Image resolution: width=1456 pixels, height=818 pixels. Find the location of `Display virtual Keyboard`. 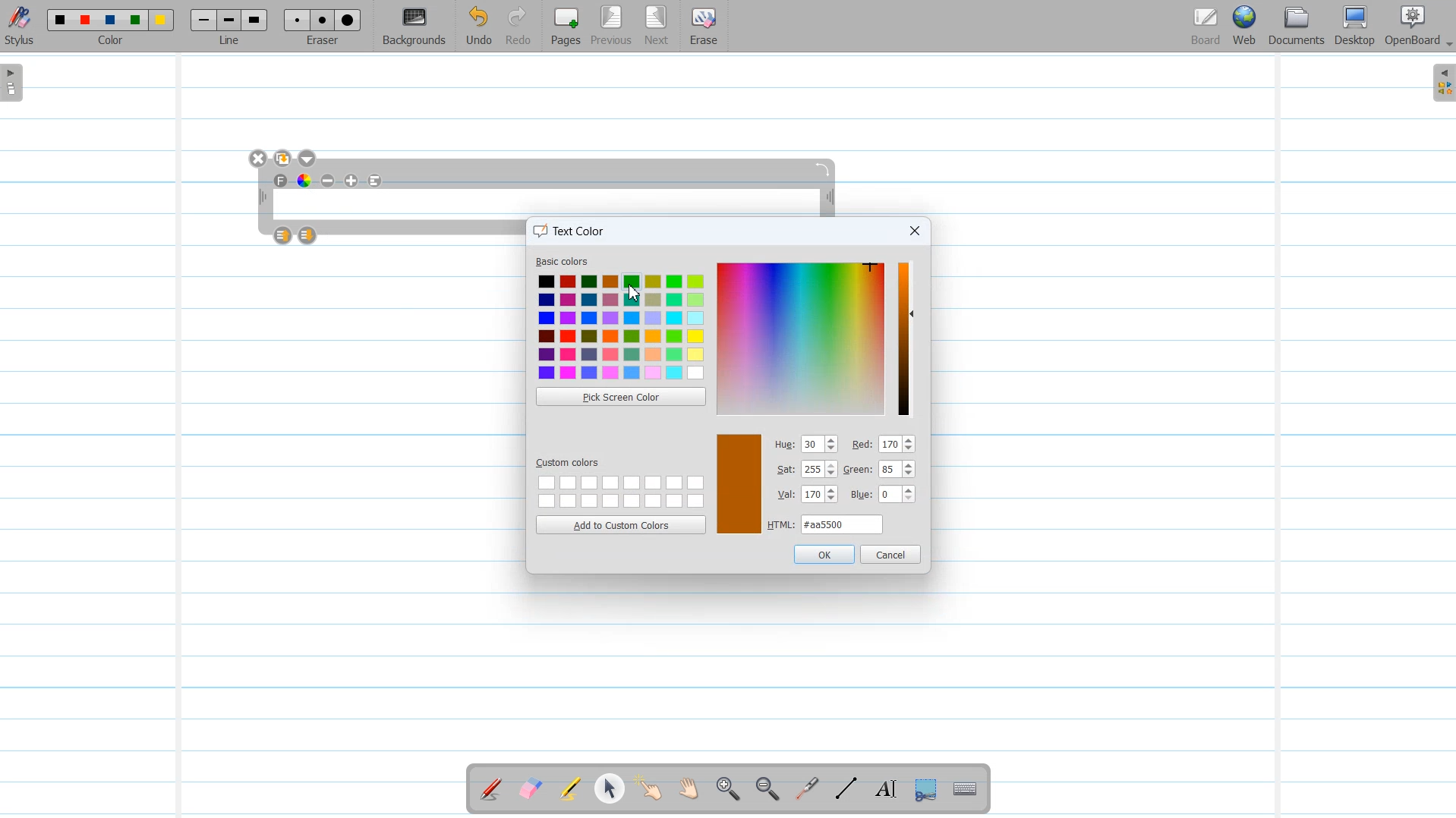

Display virtual Keyboard is located at coordinates (966, 790).